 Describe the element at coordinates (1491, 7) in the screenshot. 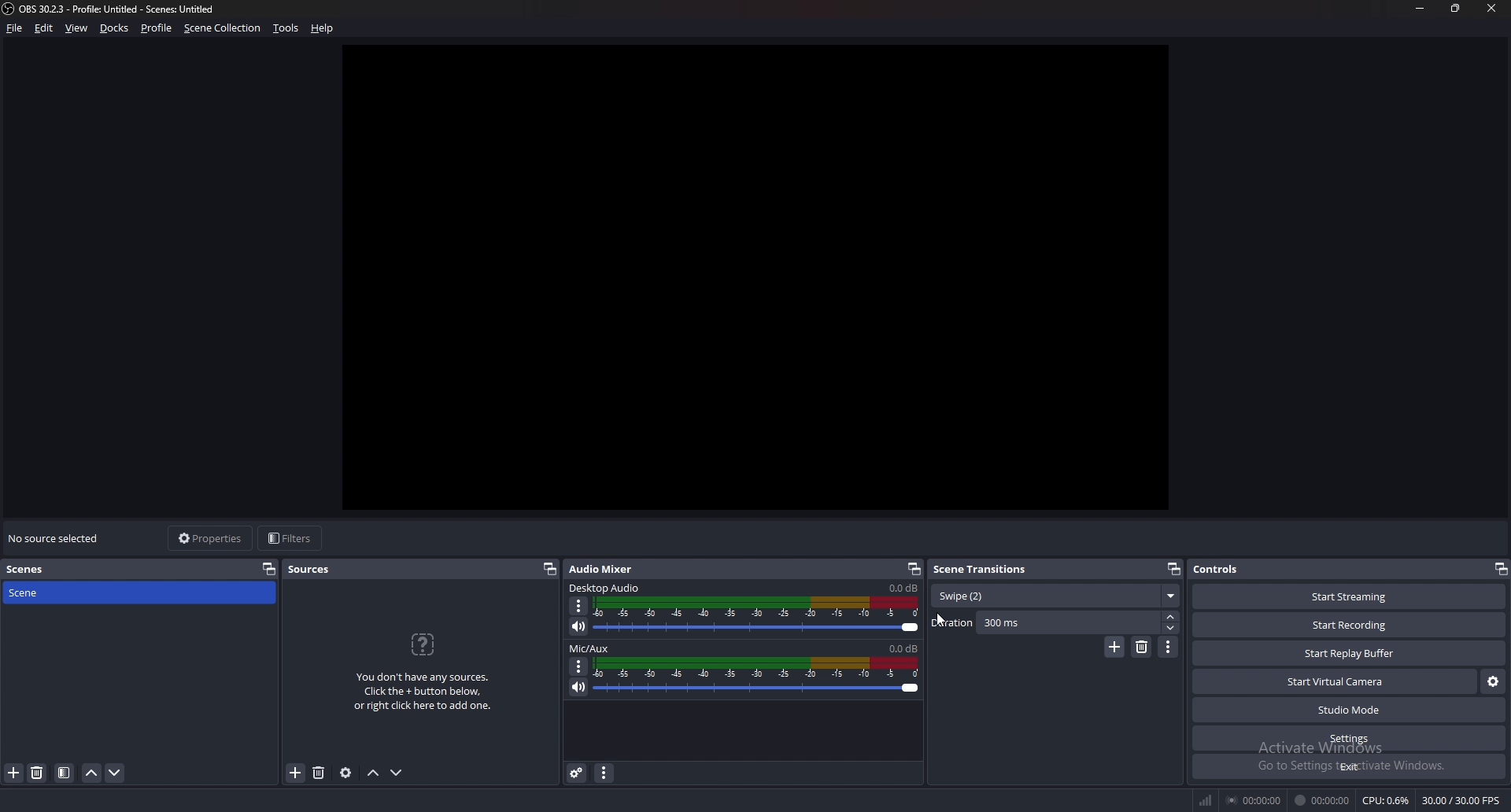

I see `close` at that location.